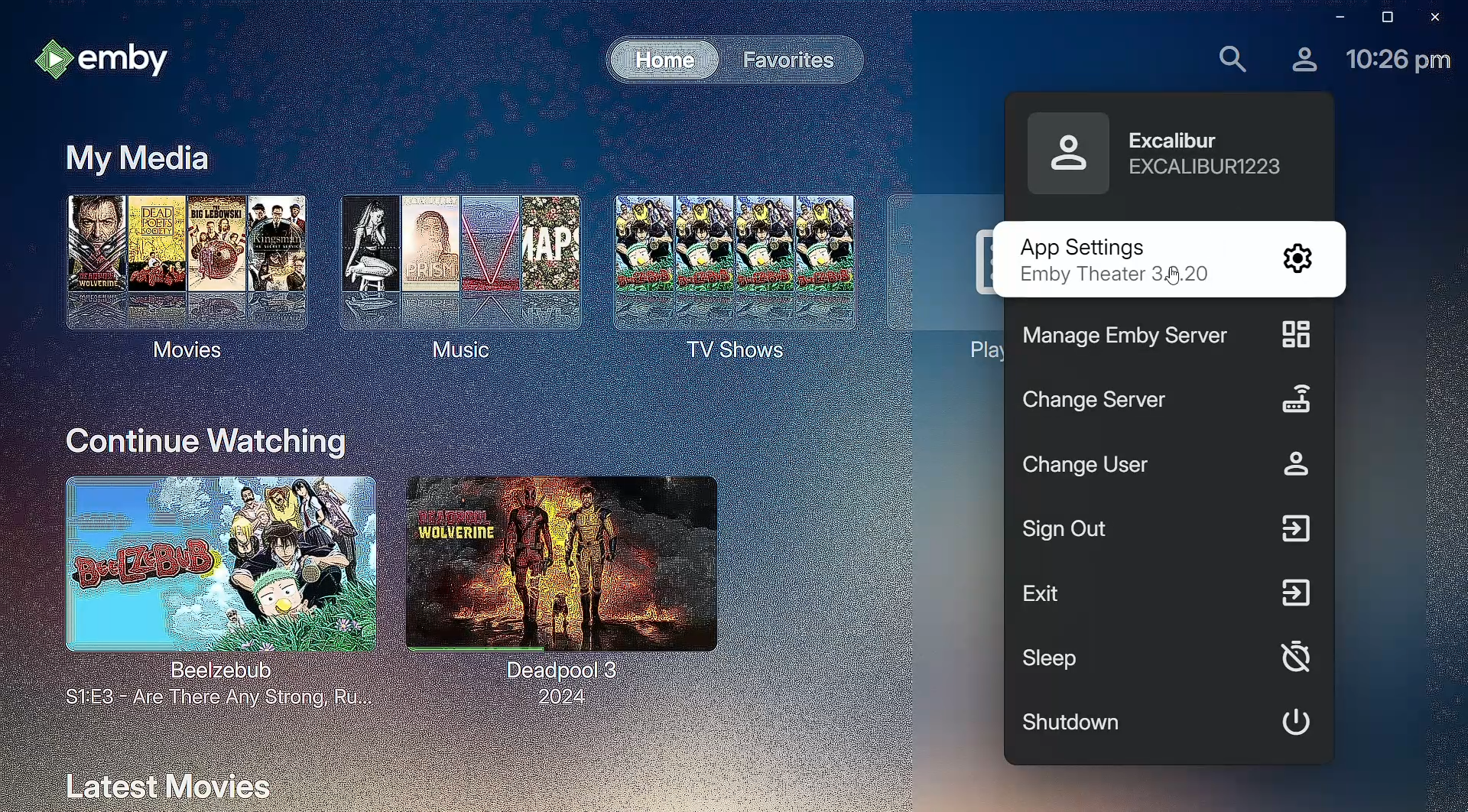  Describe the element at coordinates (1400, 61) in the screenshot. I see `Time` at that location.